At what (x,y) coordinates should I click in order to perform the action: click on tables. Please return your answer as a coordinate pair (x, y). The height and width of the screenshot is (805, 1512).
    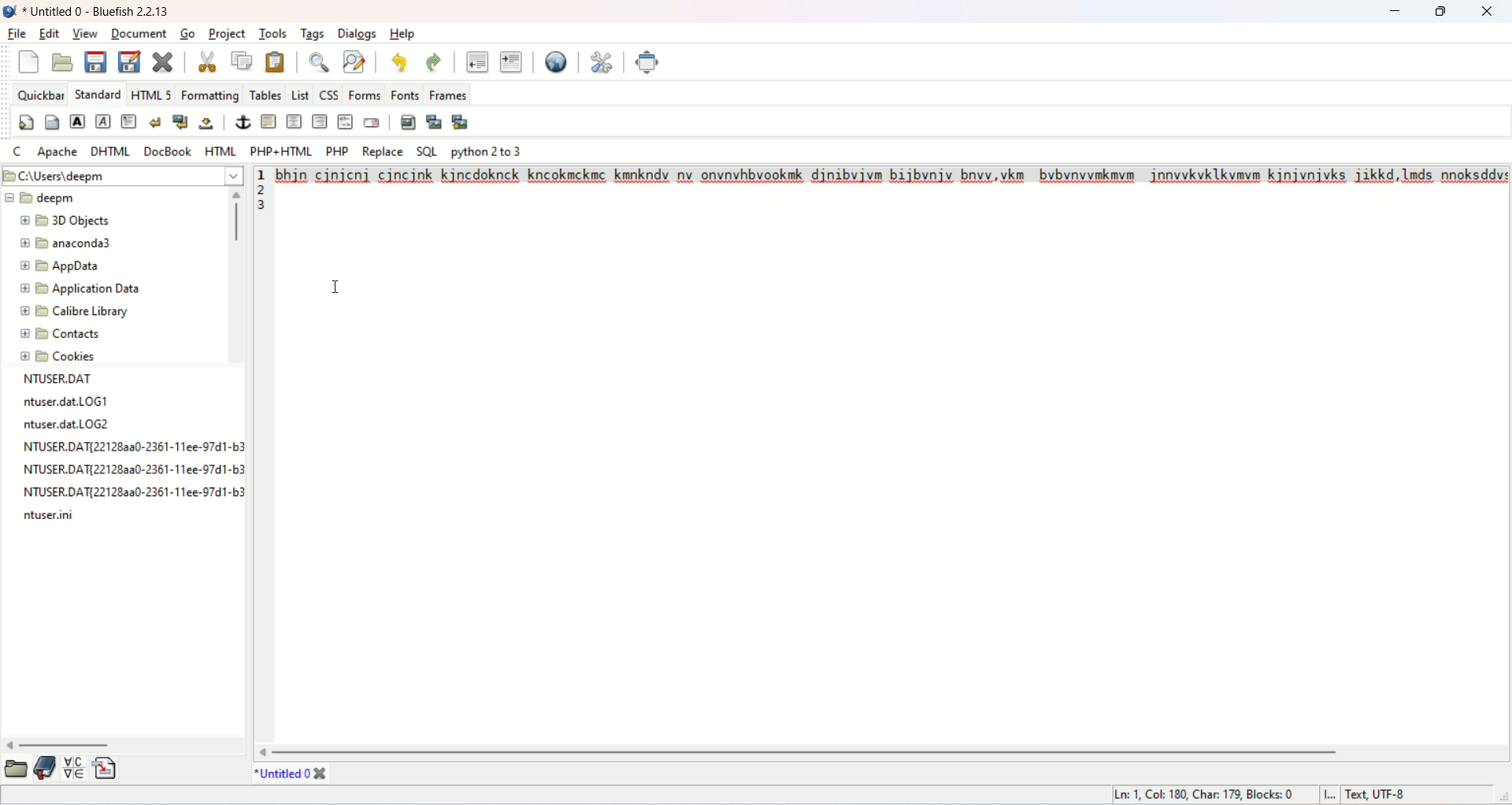
    Looking at the image, I should click on (265, 94).